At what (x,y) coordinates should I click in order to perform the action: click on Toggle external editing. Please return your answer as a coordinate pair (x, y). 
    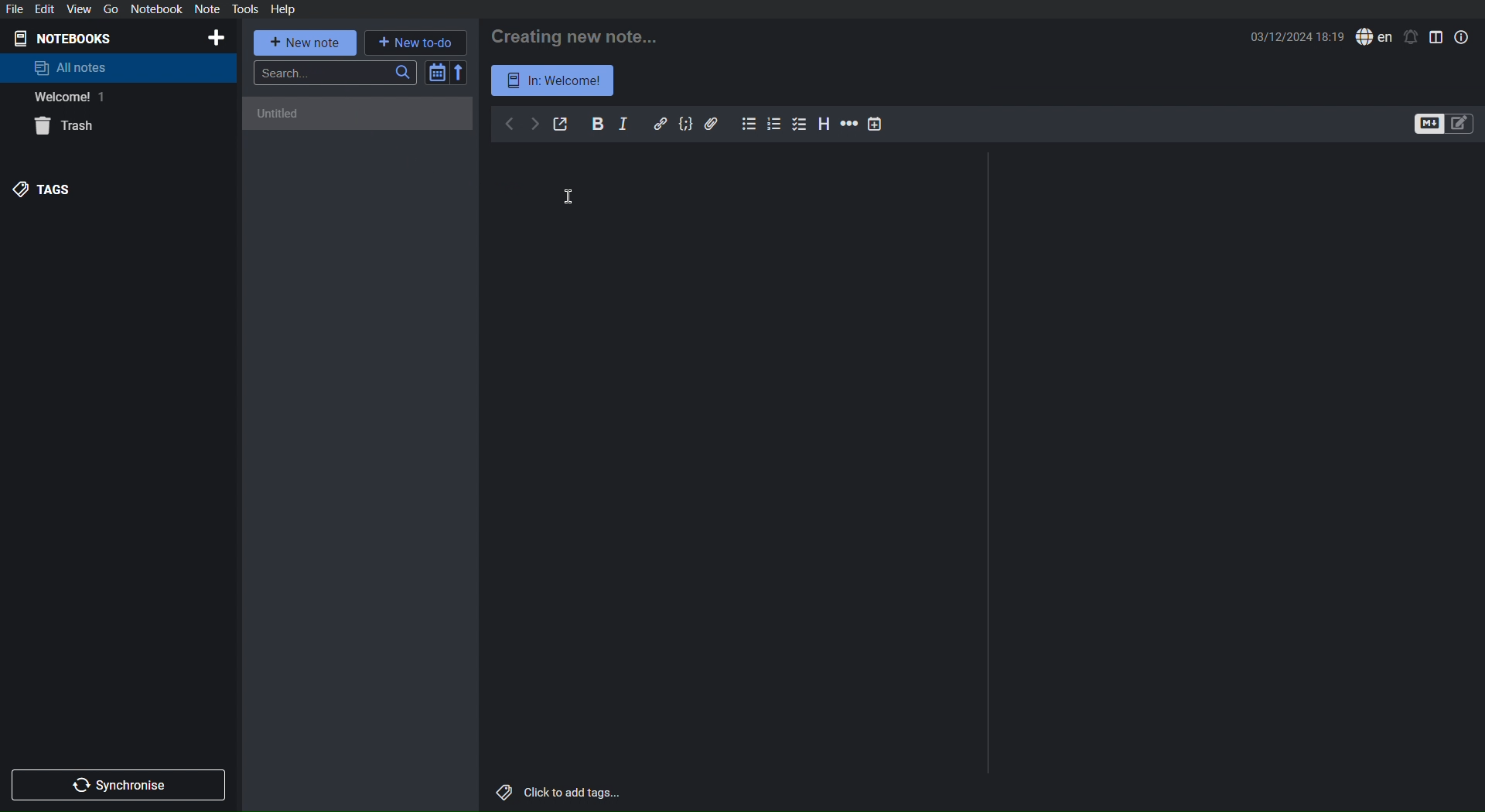
    Looking at the image, I should click on (562, 125).